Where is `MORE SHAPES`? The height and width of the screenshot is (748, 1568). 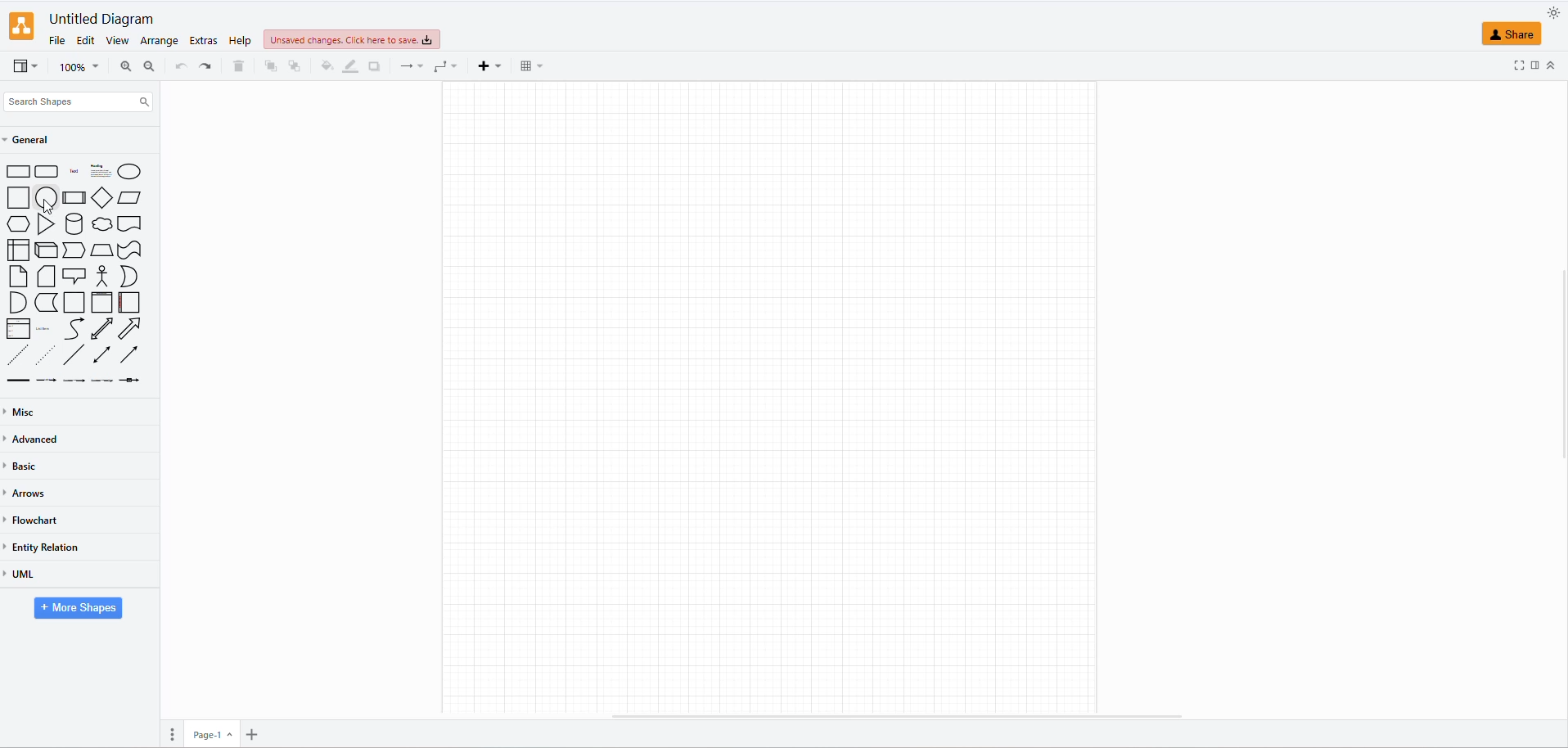 MORE SHAPES is located at coordinates (76, 611).